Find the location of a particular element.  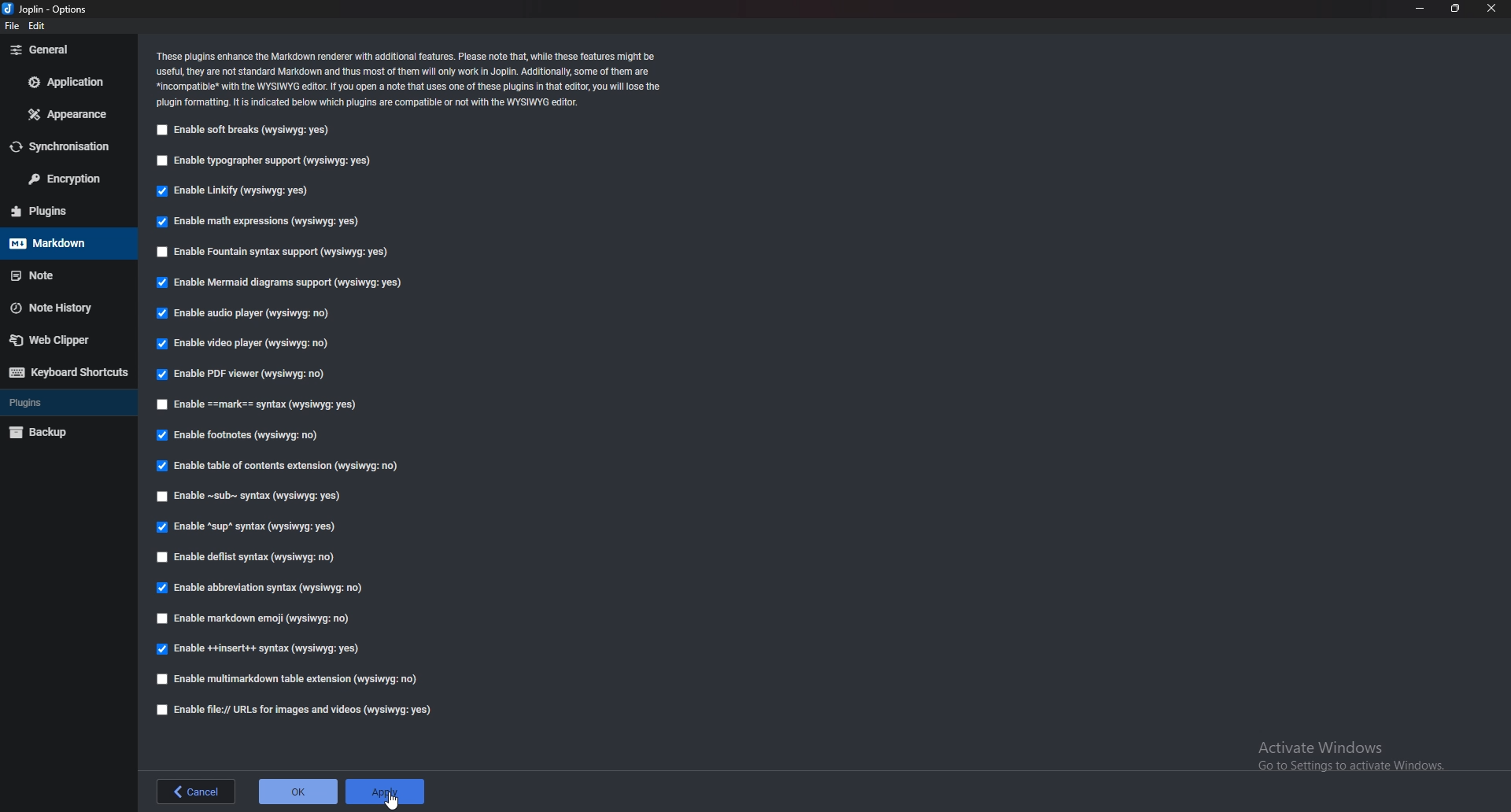

apply is located at coordinates (382, 792).